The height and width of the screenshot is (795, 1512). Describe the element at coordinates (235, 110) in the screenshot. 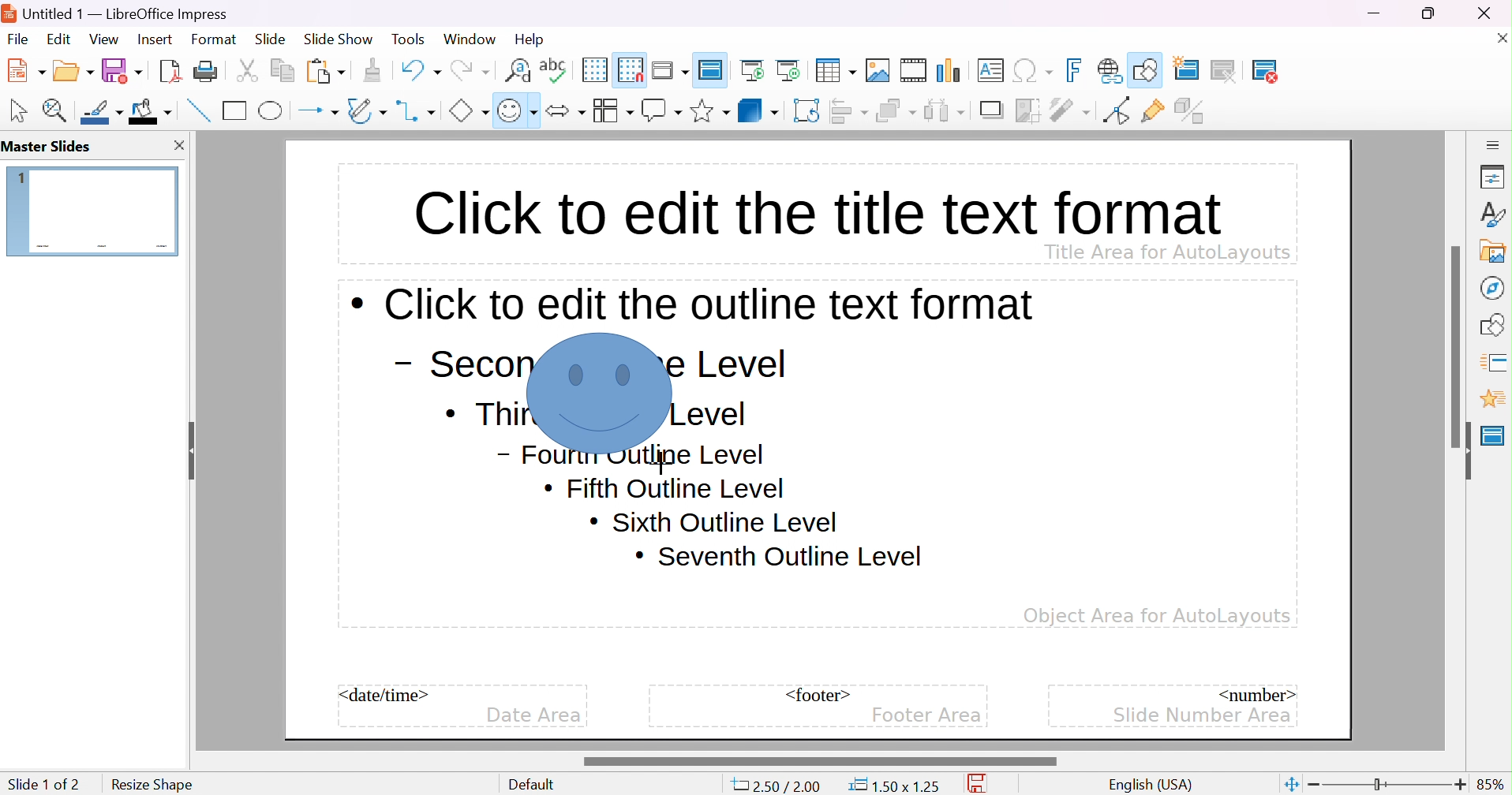

I see `rectangle` at that location.